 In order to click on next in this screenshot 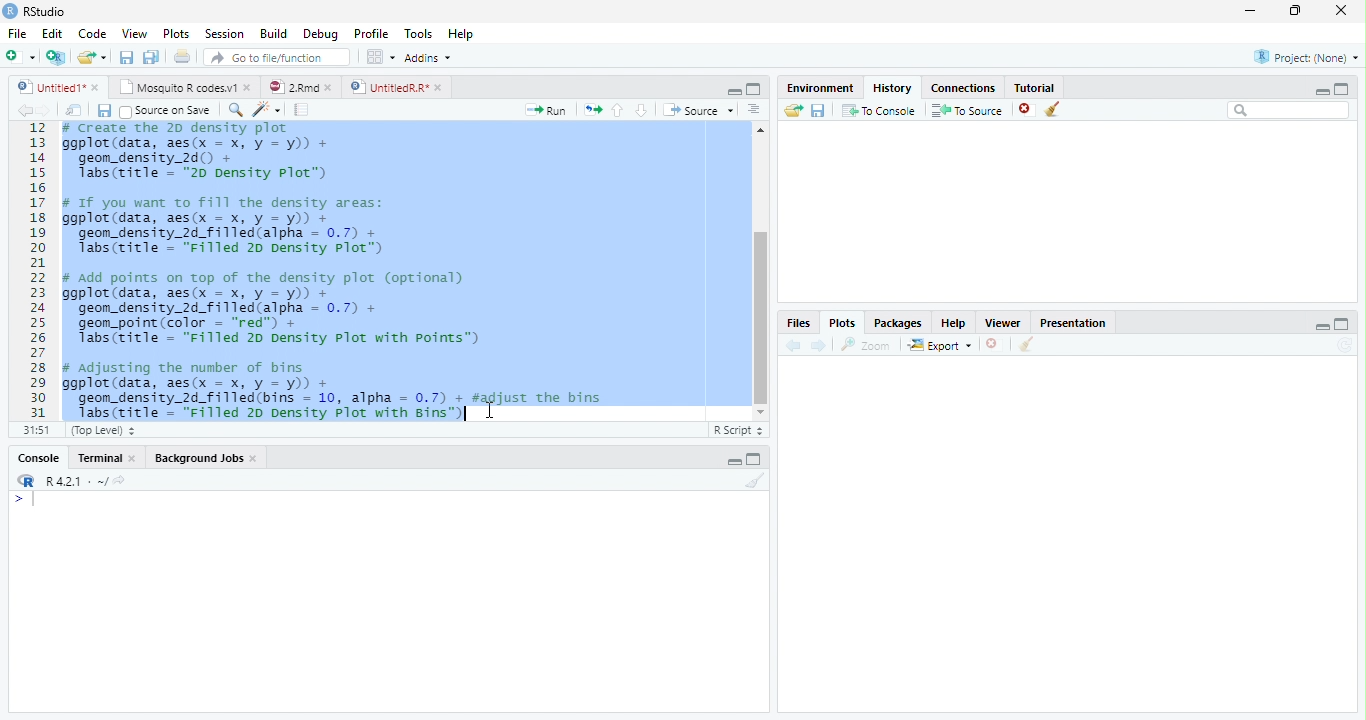, I will do `click(821, 346)`.